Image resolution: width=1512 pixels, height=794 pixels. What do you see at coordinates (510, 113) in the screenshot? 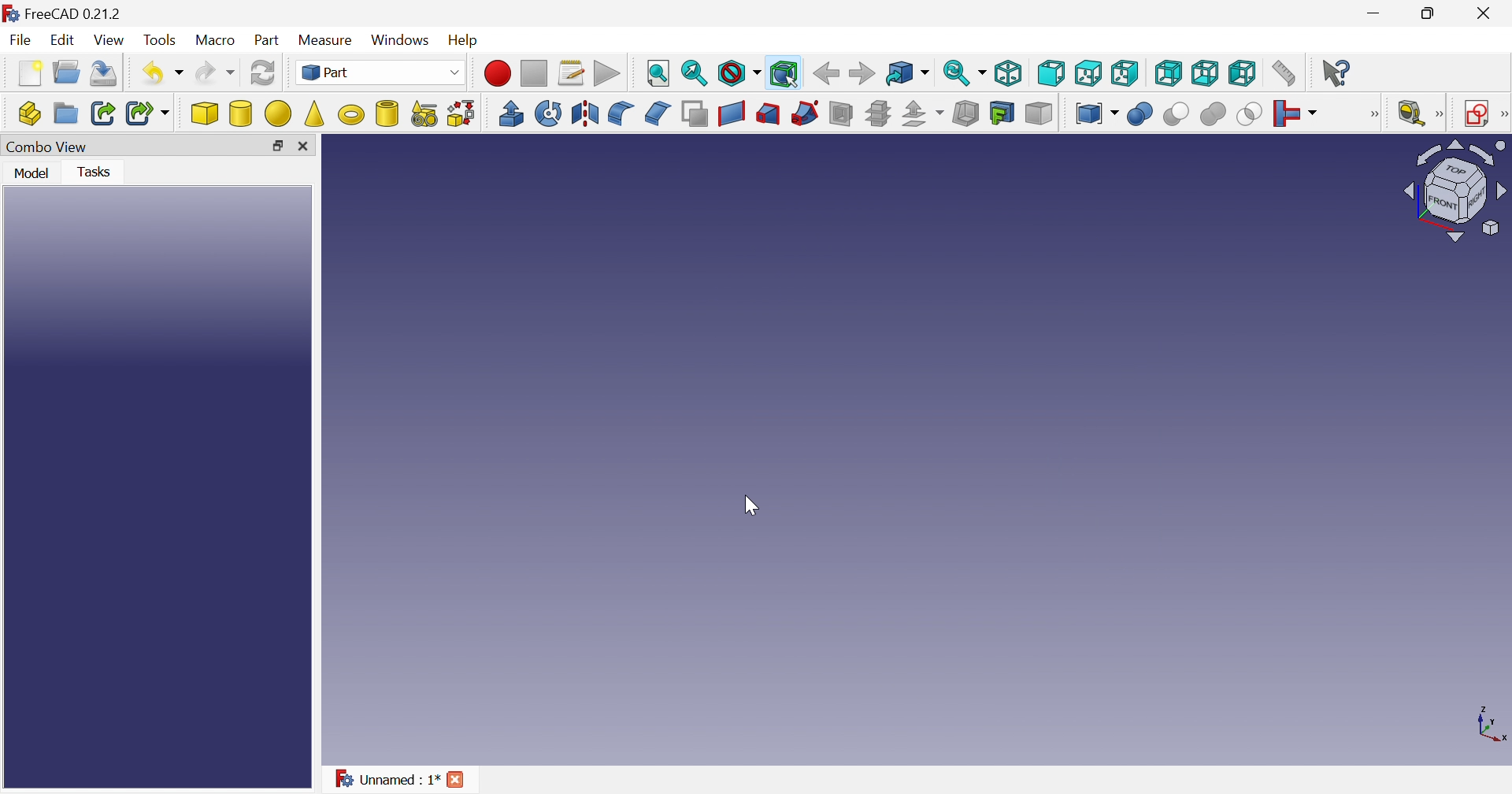
I see `Extrude...` at bounding box center [510, 113].